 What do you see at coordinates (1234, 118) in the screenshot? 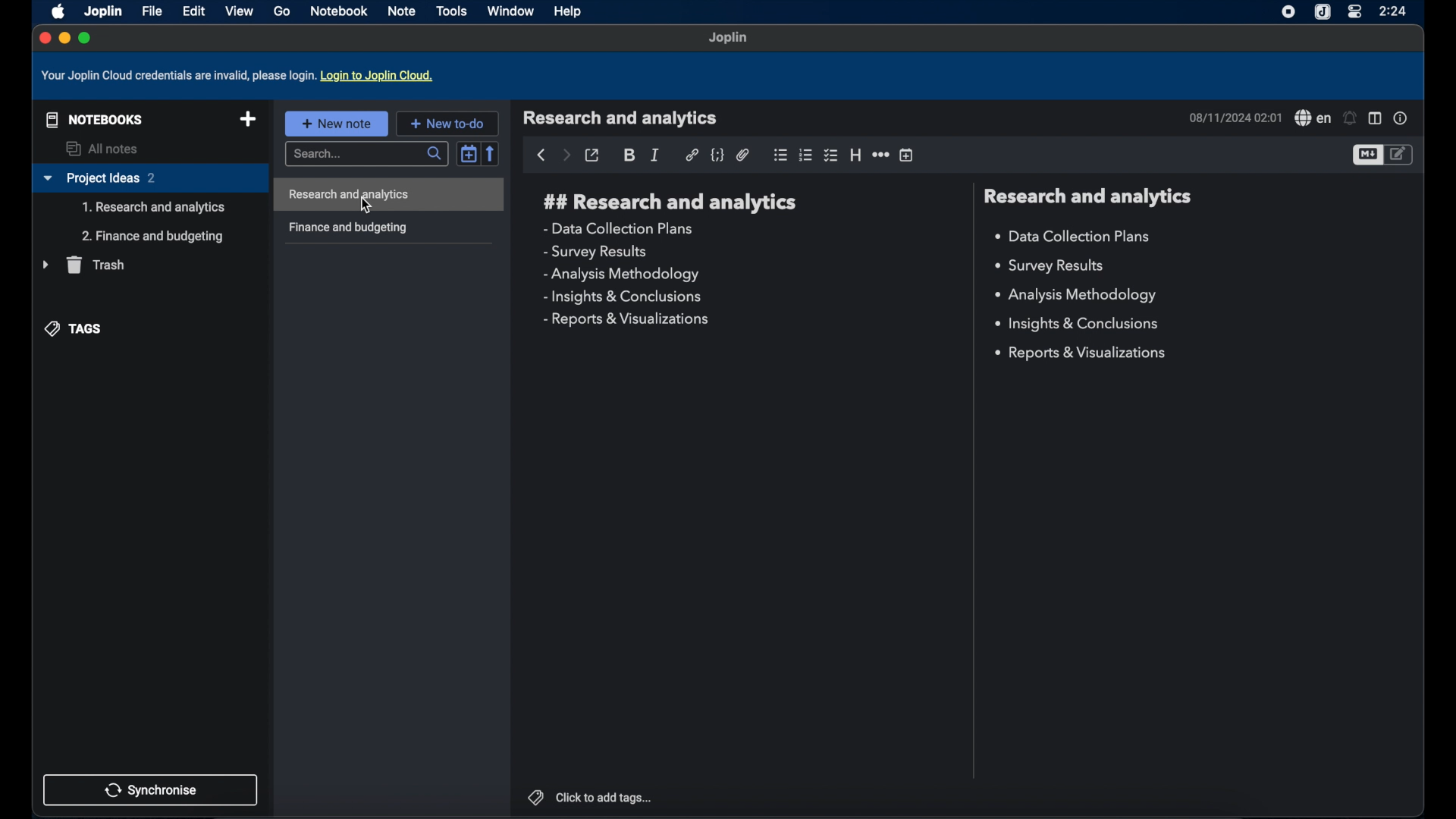
I see `08/11/2024 02:01` at bounding box center [1234, 118].